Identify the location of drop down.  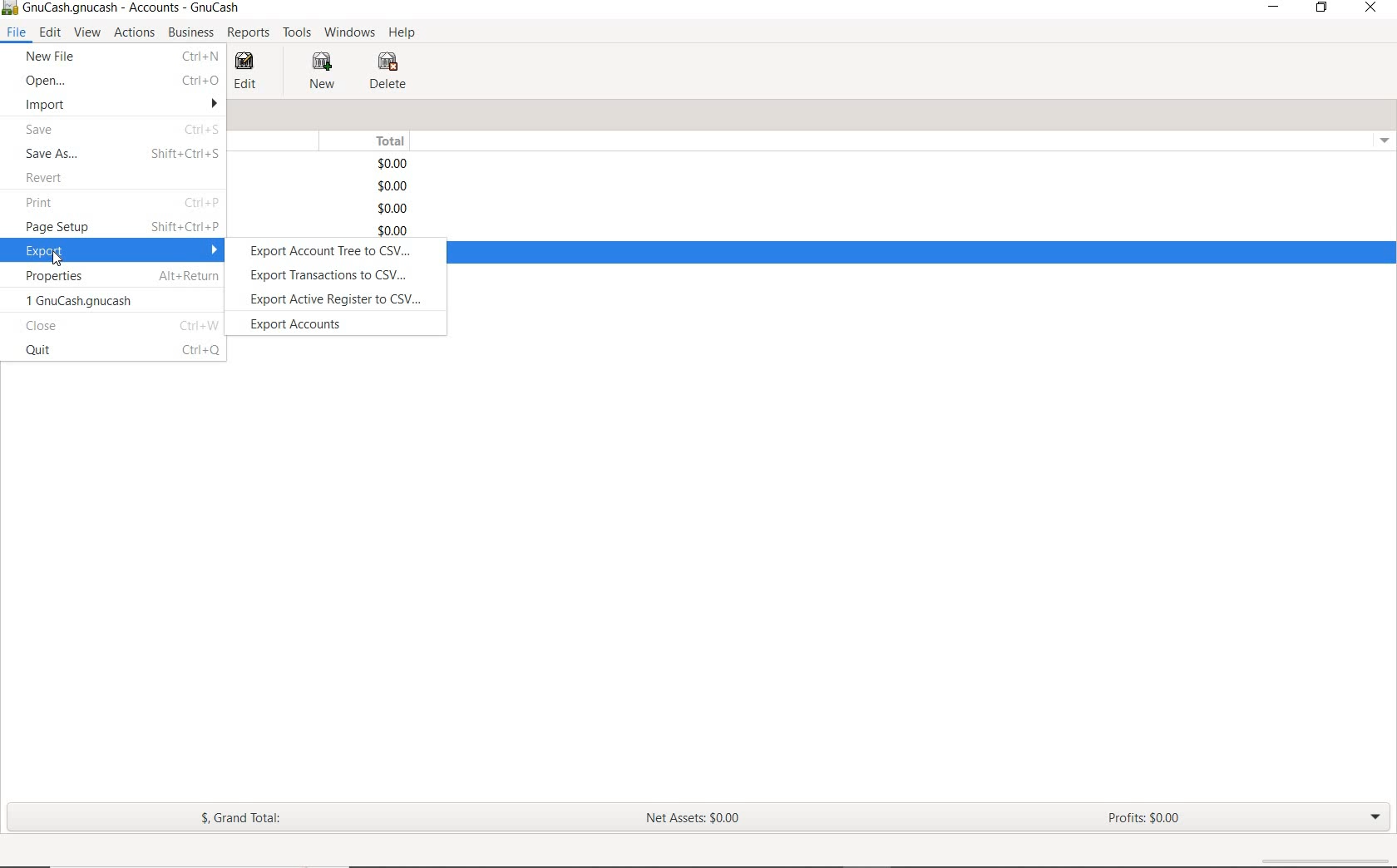
(1386, 140).